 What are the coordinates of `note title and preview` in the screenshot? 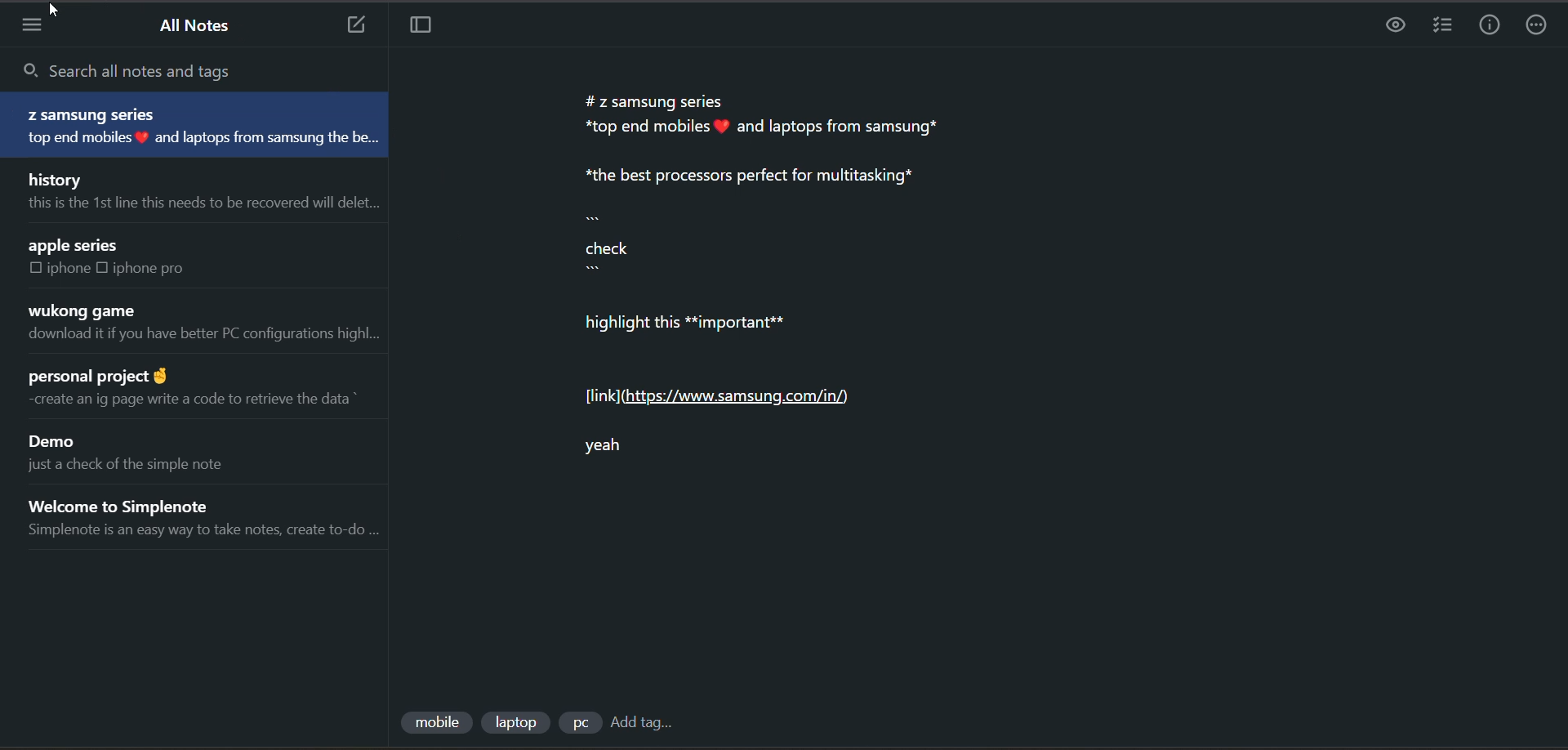 It's located at (216, 516).